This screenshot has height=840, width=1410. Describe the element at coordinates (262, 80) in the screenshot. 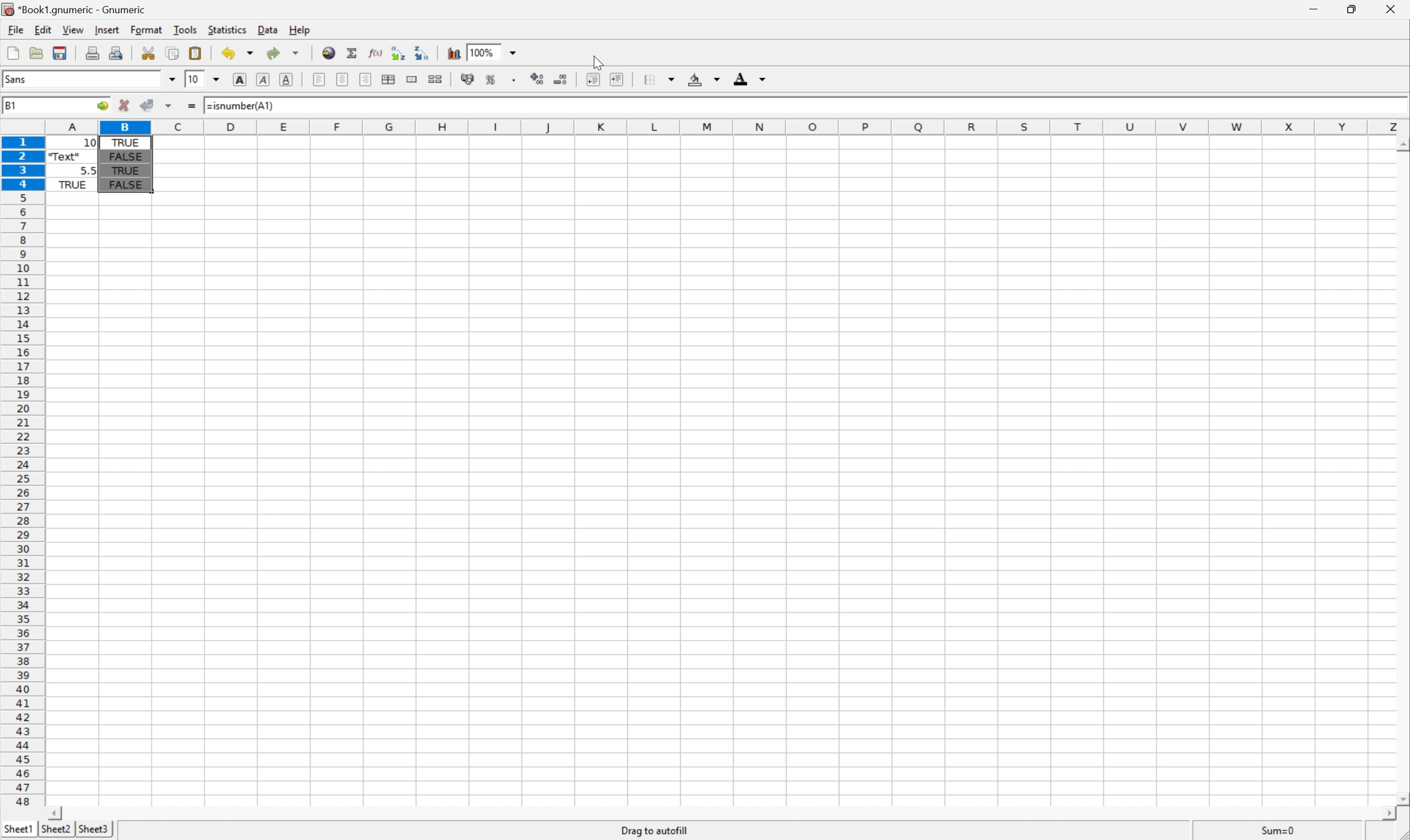

I see `Italic` at that location.